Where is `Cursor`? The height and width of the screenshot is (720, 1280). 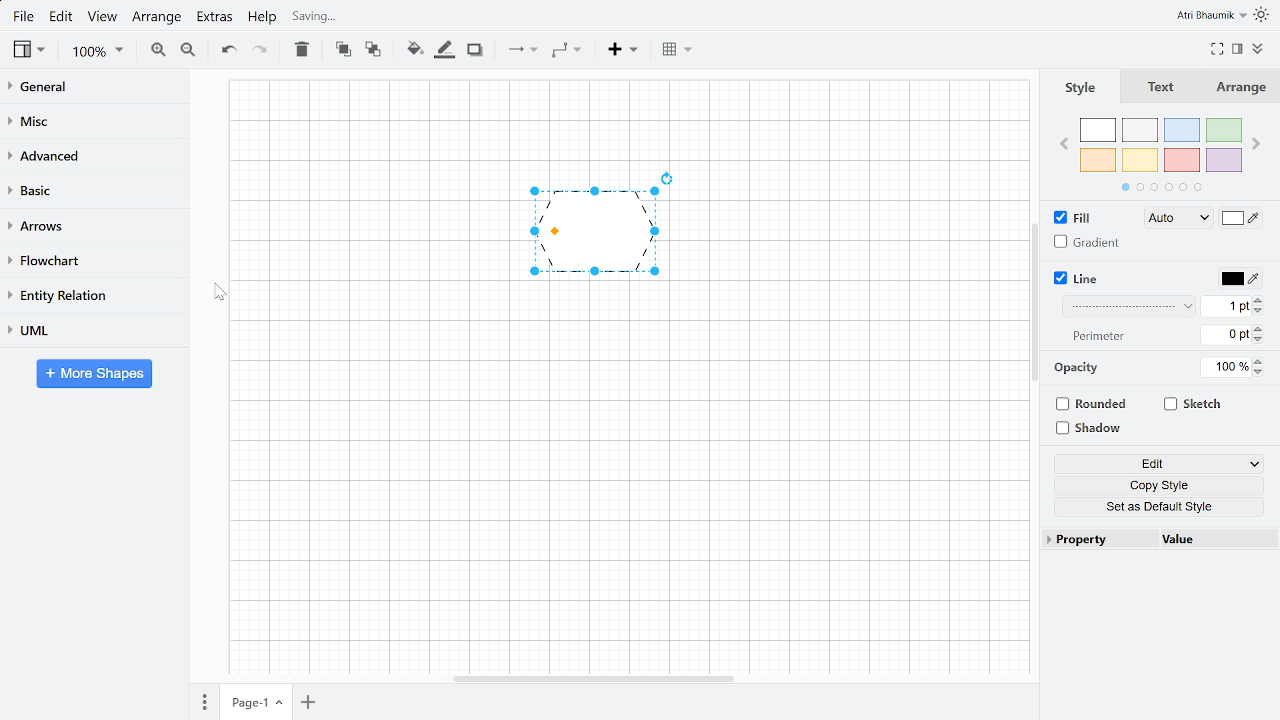 Cursor is located at coordinates (221, 292).